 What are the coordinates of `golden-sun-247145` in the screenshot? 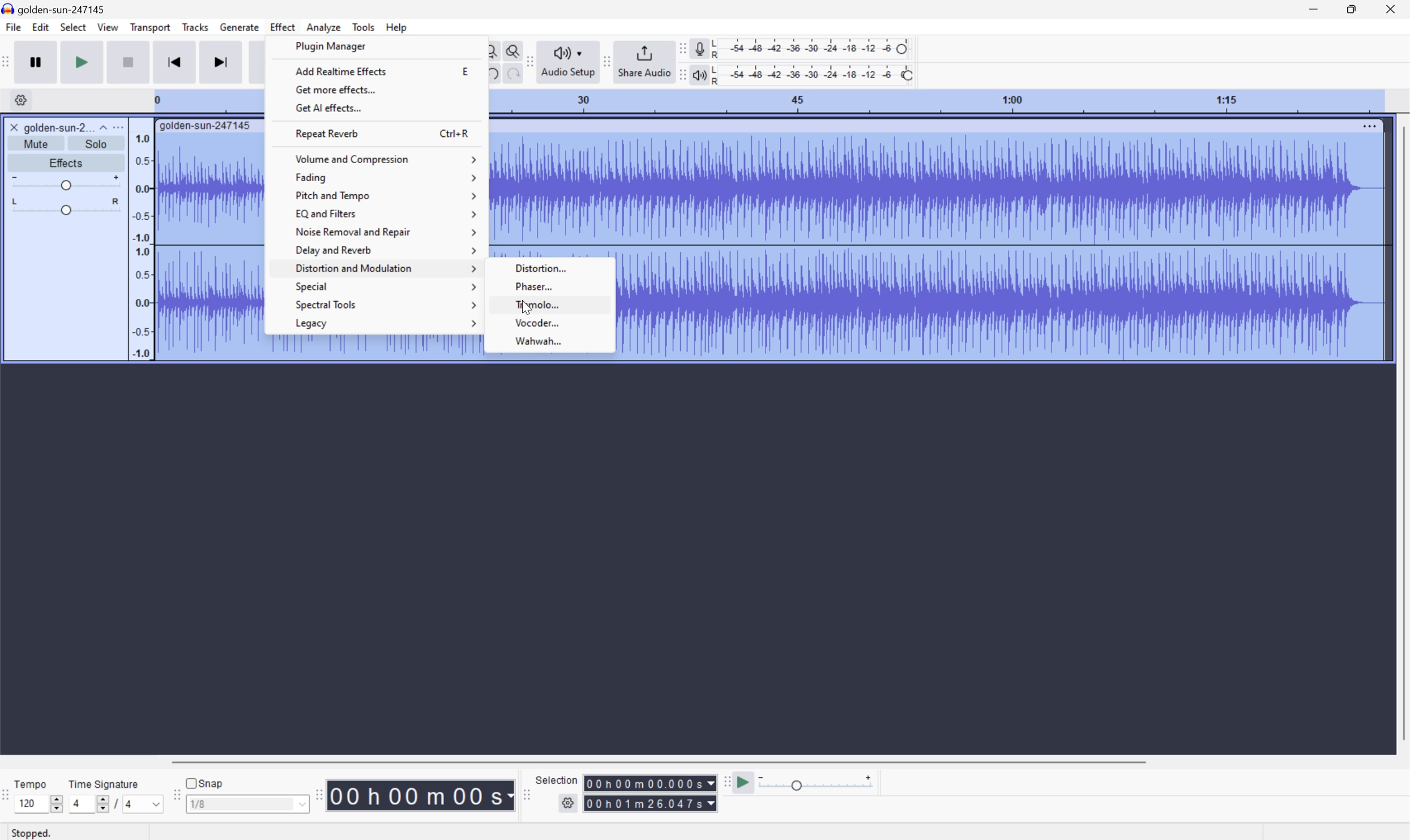 It's located at (206, 127).